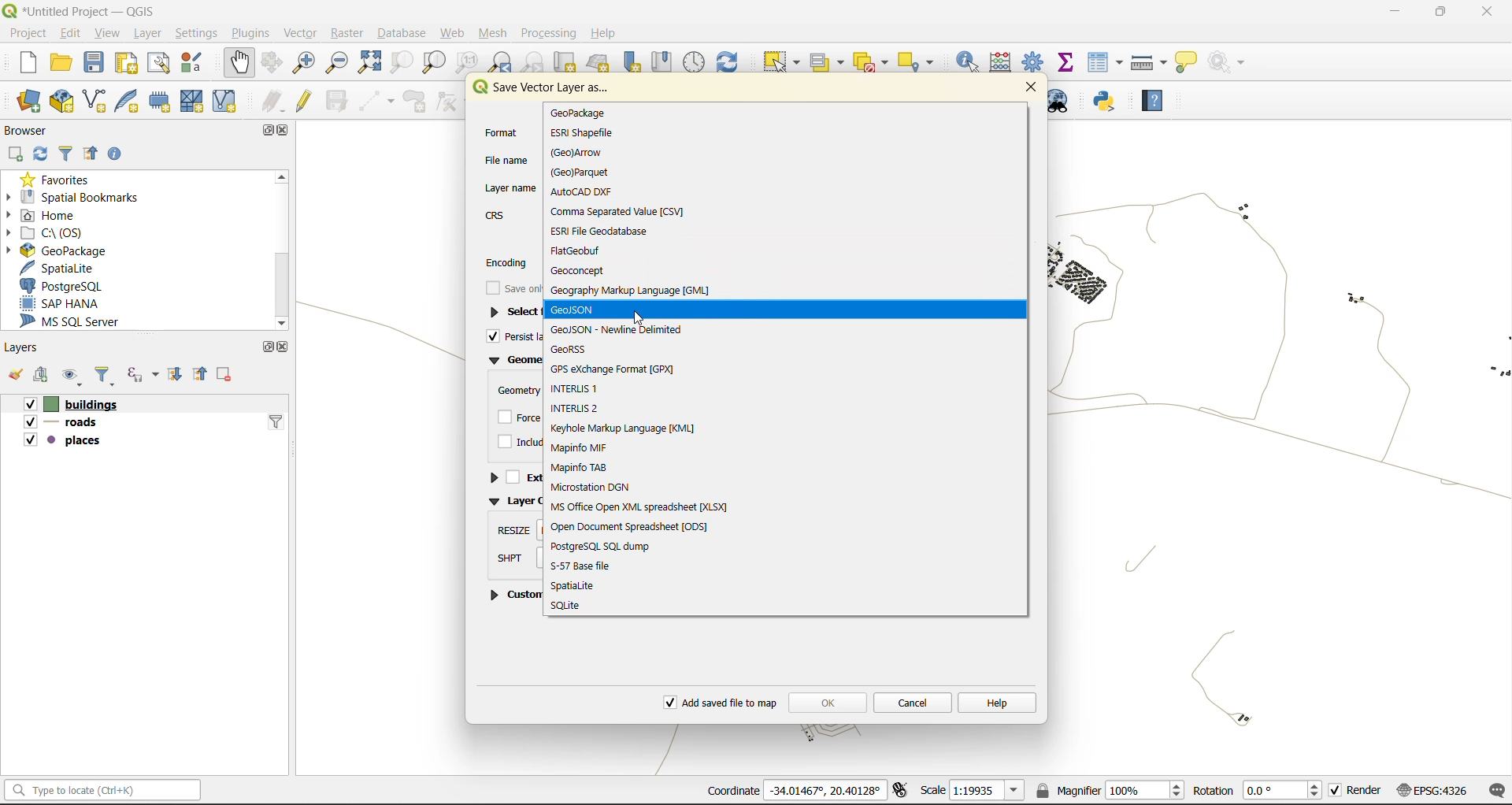 The image size is (1512, 805). I want to click on measure line, so click(1148, 65).